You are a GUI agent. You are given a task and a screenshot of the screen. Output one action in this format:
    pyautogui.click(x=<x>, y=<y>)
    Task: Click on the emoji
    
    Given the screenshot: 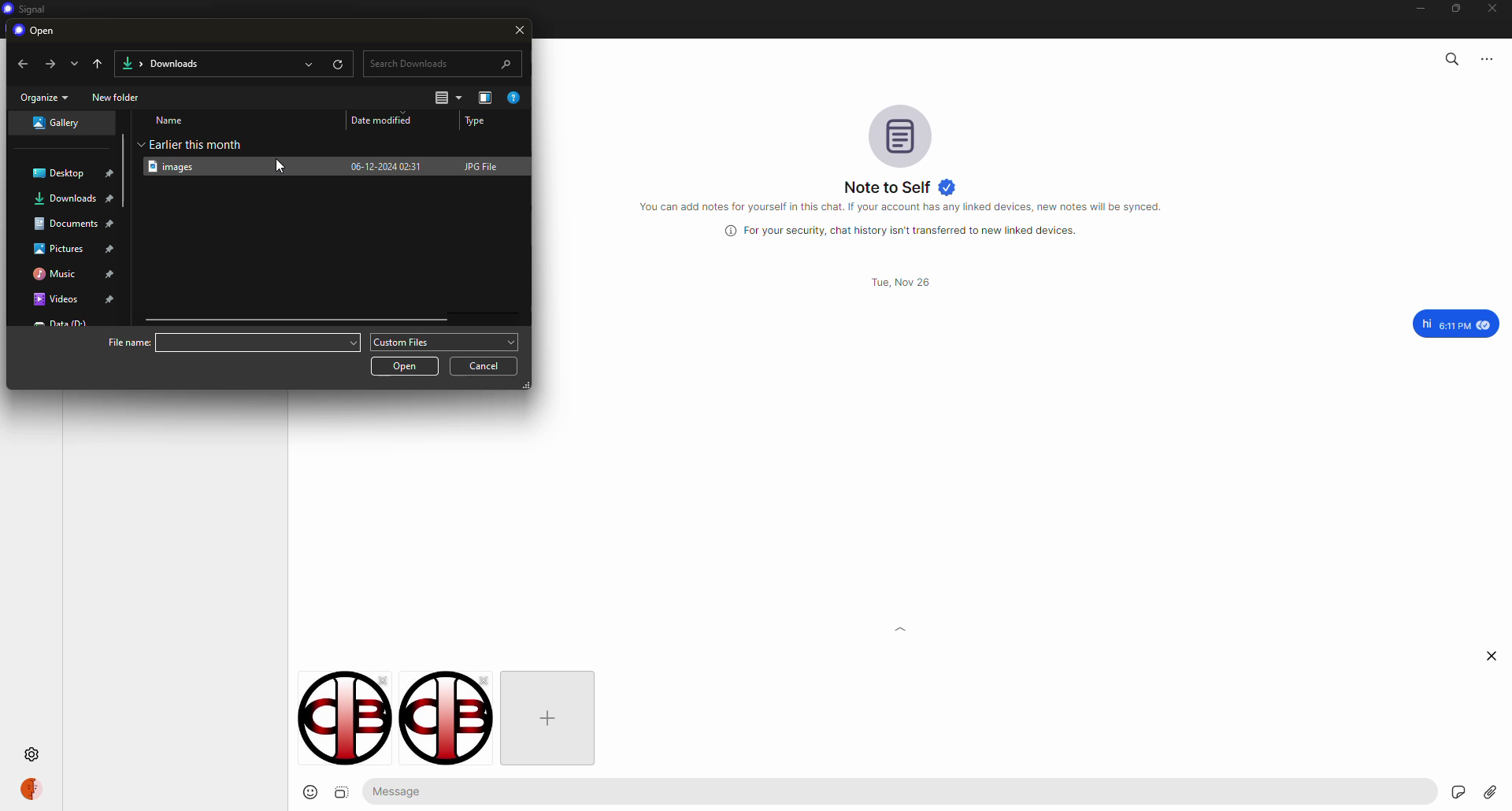 What is the action you would take?
    pyautogui.click(x=303, y=792)
    